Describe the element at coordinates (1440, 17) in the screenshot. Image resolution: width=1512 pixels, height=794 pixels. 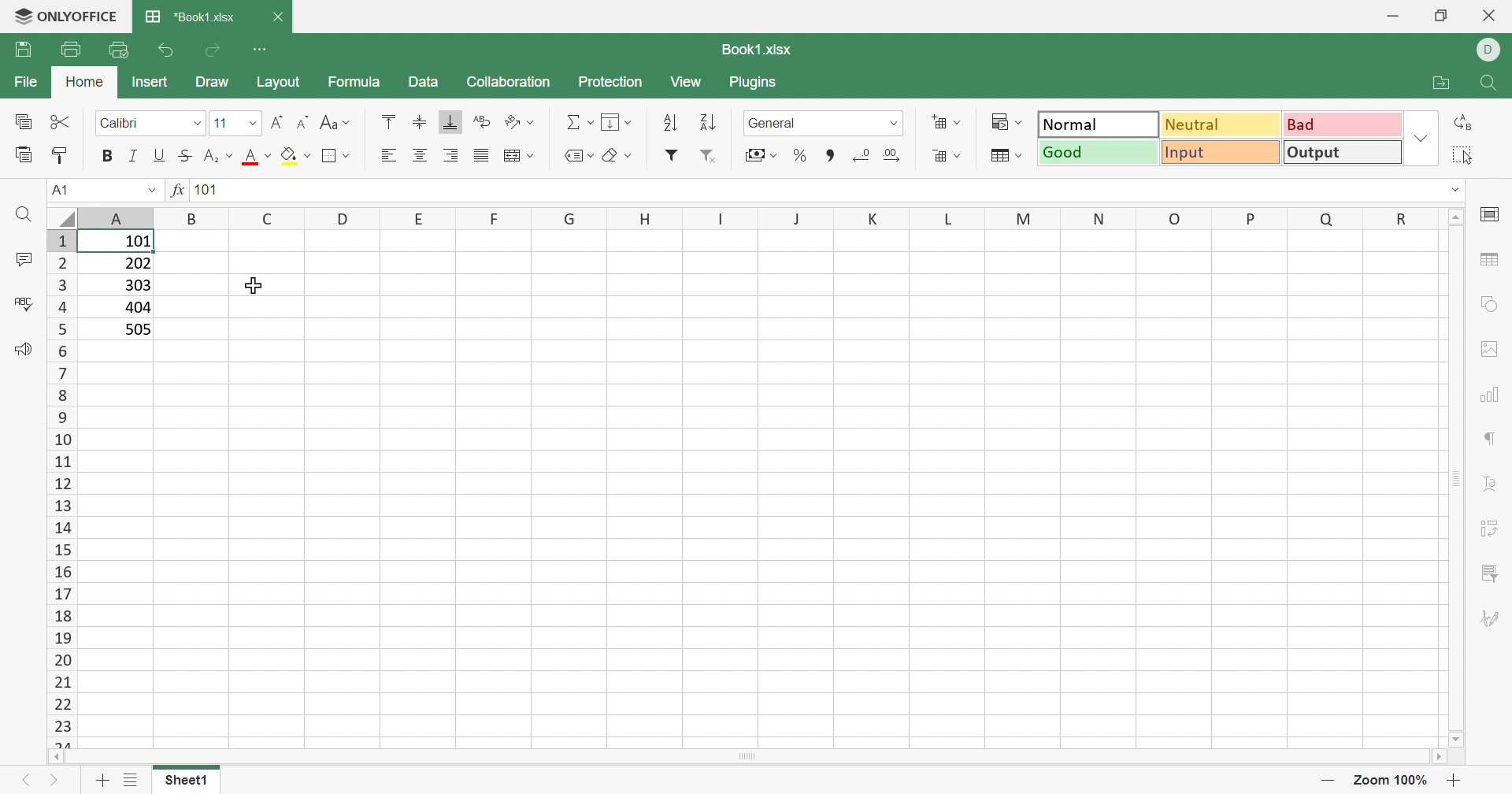
I see `Restore Down` at that location.